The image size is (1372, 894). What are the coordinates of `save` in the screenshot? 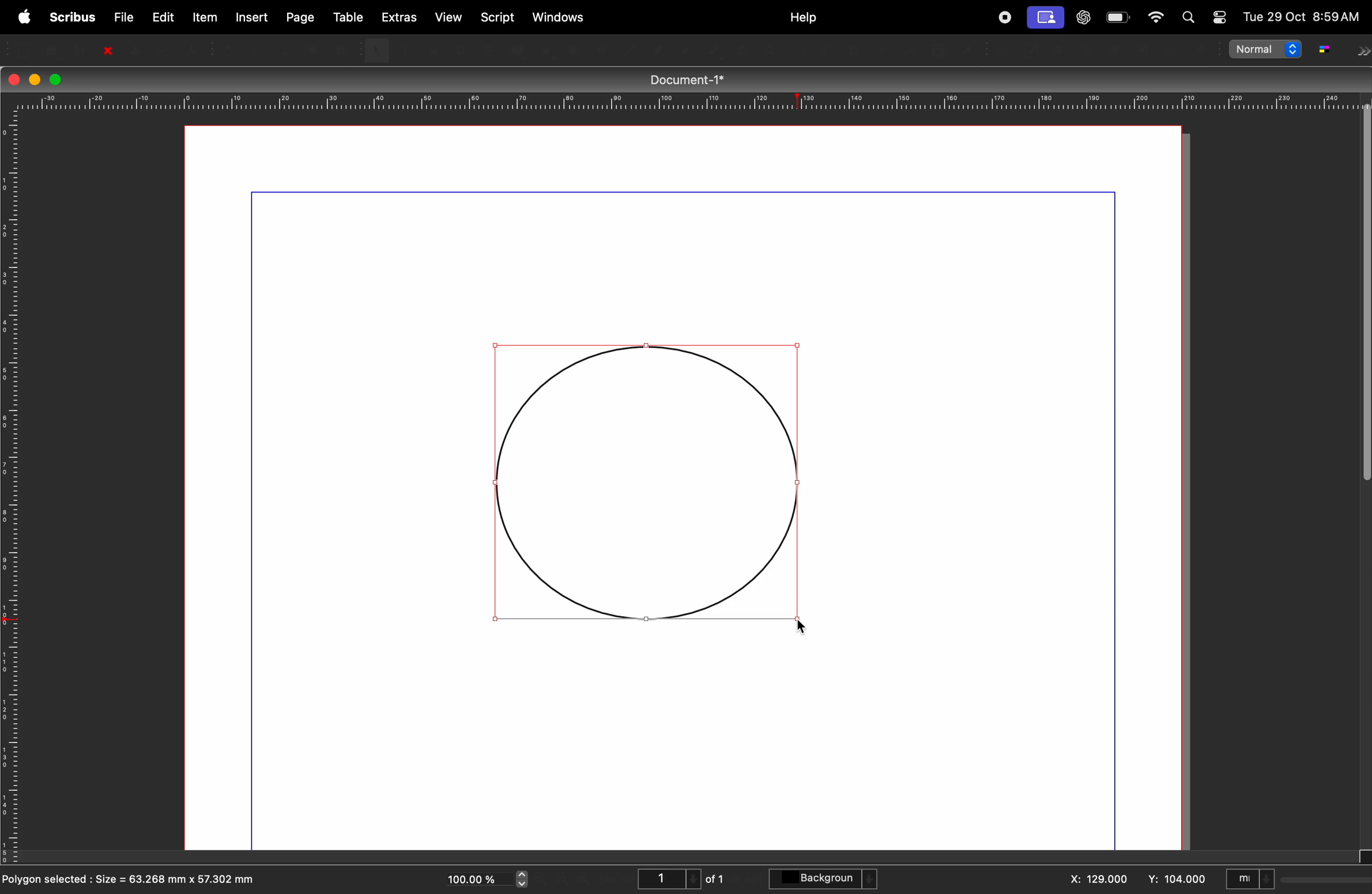 It's located at (80, 49).